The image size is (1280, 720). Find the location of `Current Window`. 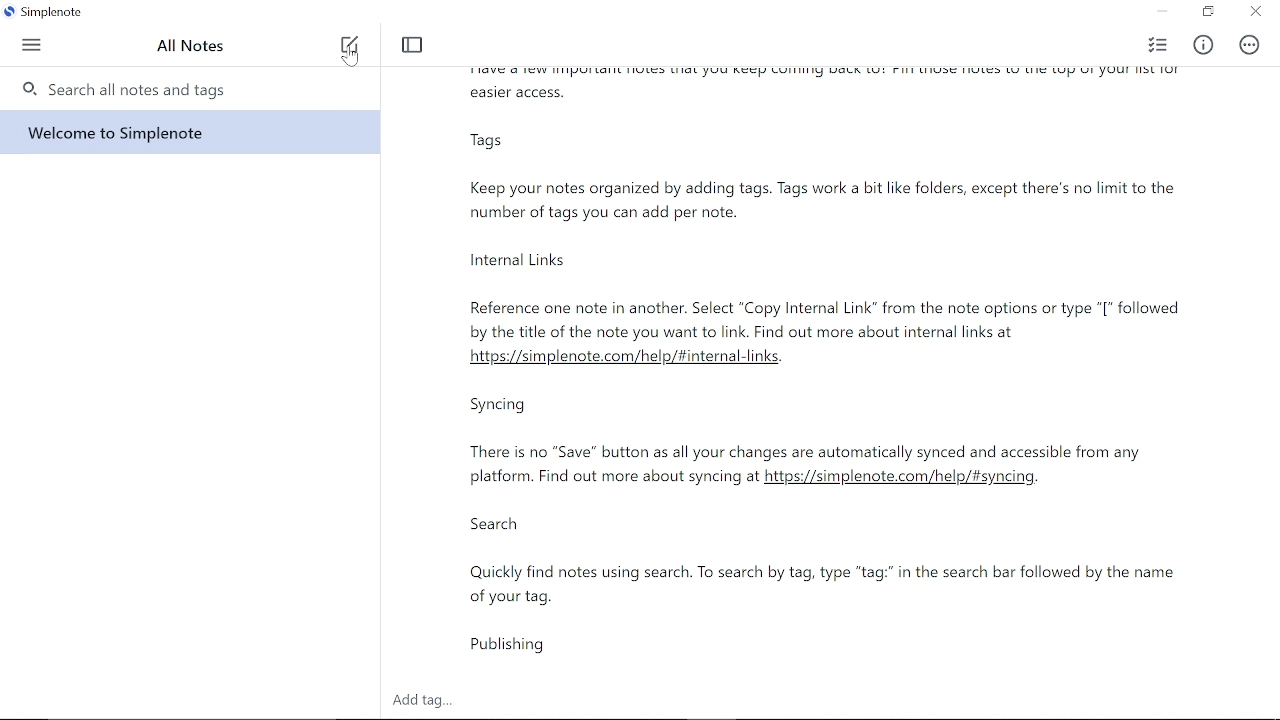

Current Window is located at coordinates (42, 14).